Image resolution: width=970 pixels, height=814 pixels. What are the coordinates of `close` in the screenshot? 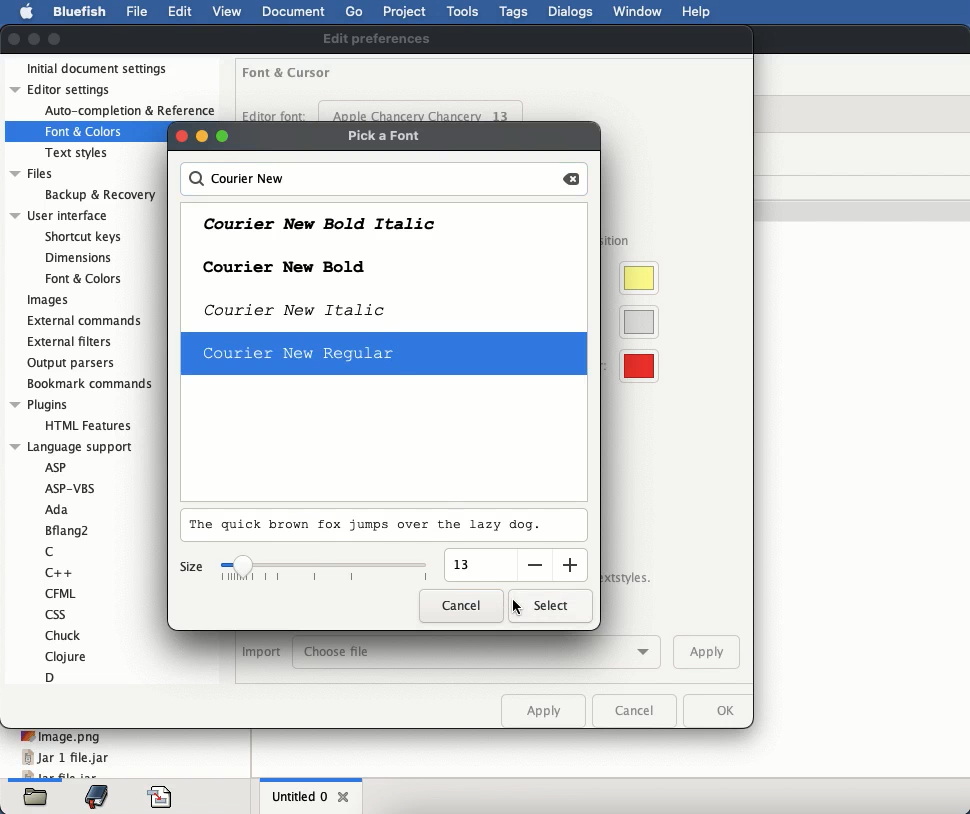 It's located at (345, 797).